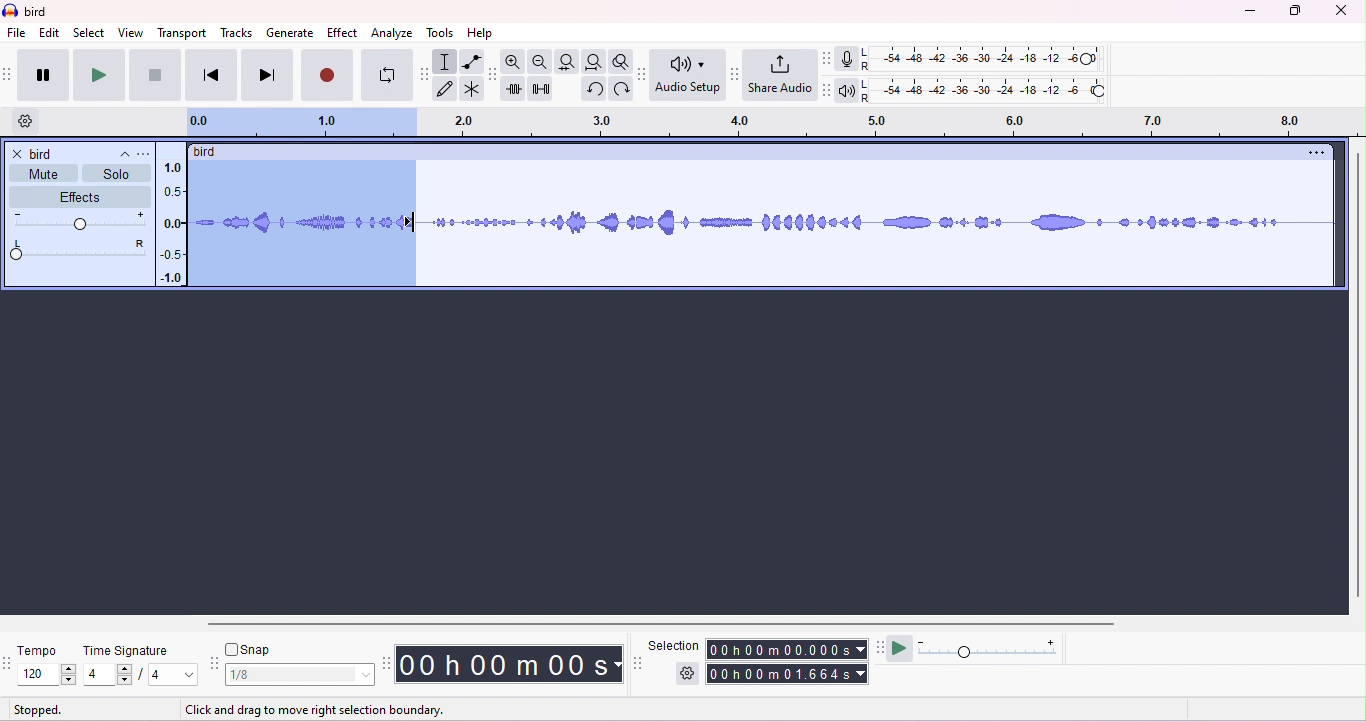  What do you see at coordinates (208, 150) in the screenshot?
I see `bird (track title)` at bounding box center [208, 150].